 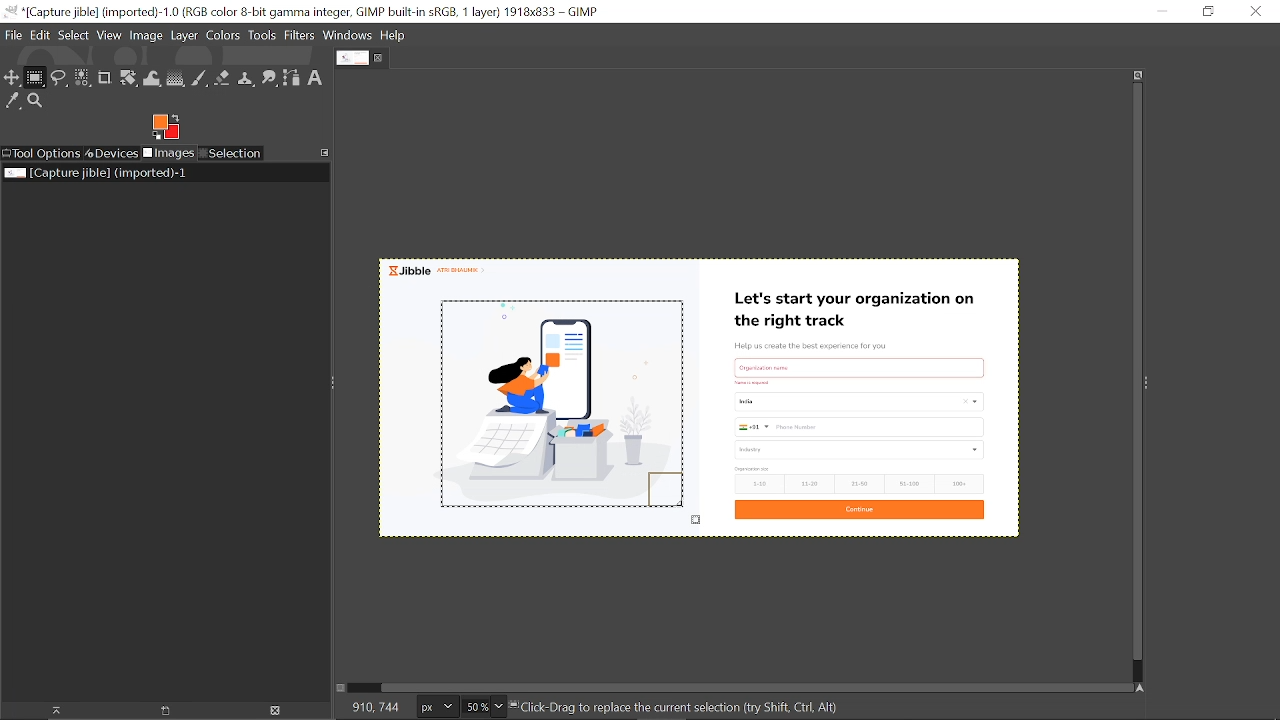 What do you see at coordinates (270, 79) in the screenshot?
I see `Smudge tool` at bounding box center [270, 79].